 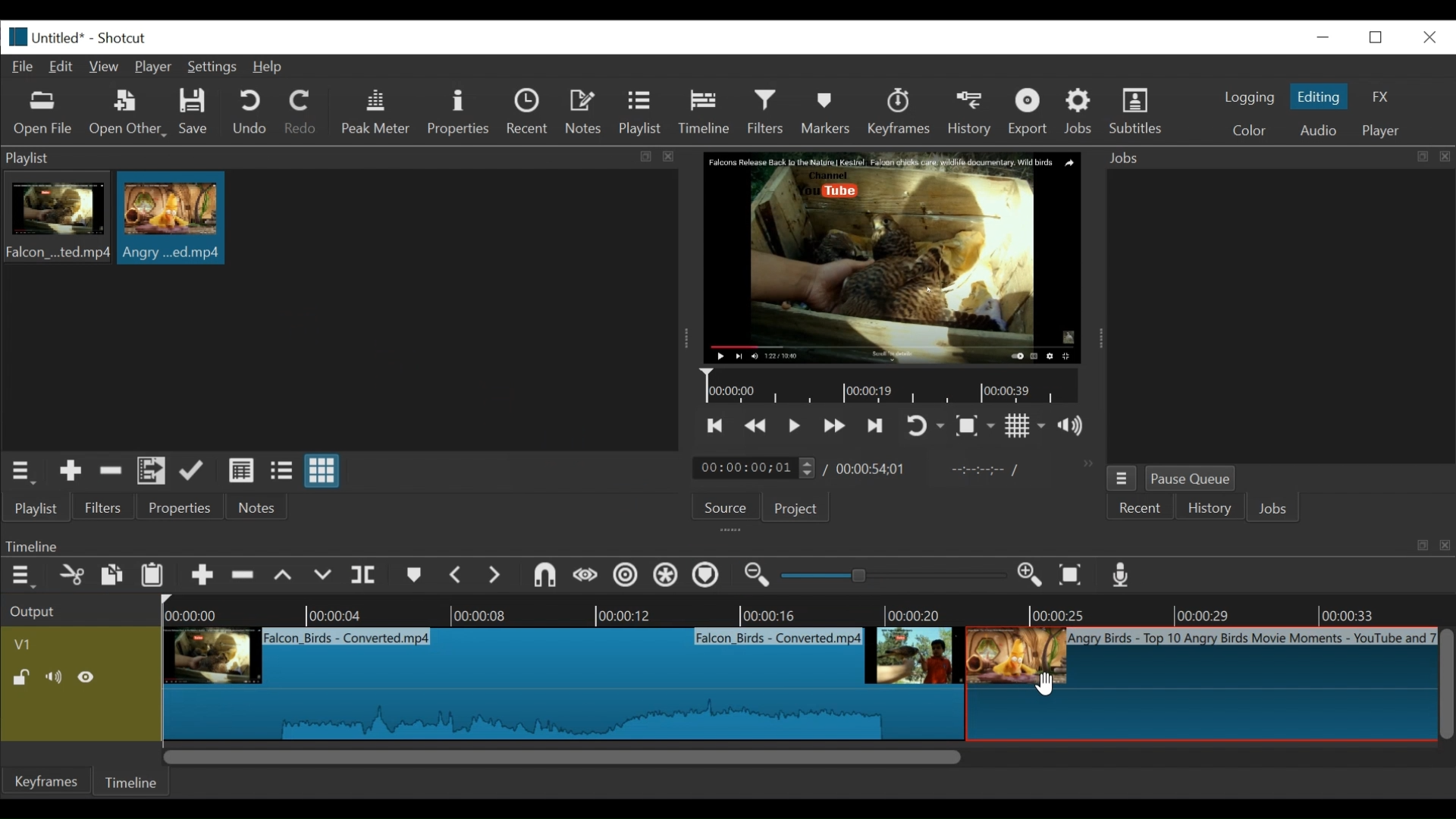 What do you see at coordinates (55, 220) in the screenshot?
I see `clip` at bounding box center [55, 220].